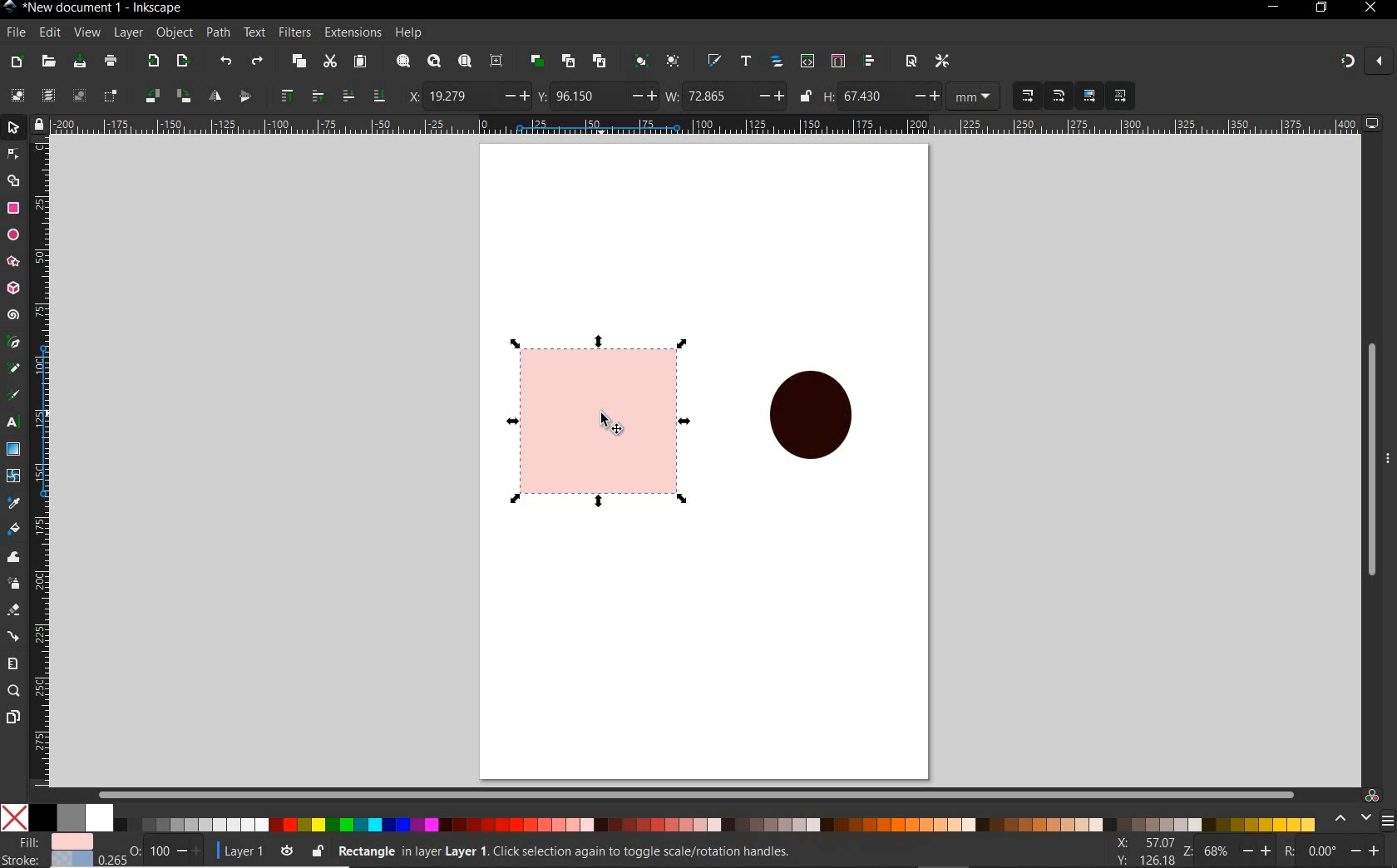 This screenshot has width=1397, height=868. I want to click on open text, so click(747, 62).